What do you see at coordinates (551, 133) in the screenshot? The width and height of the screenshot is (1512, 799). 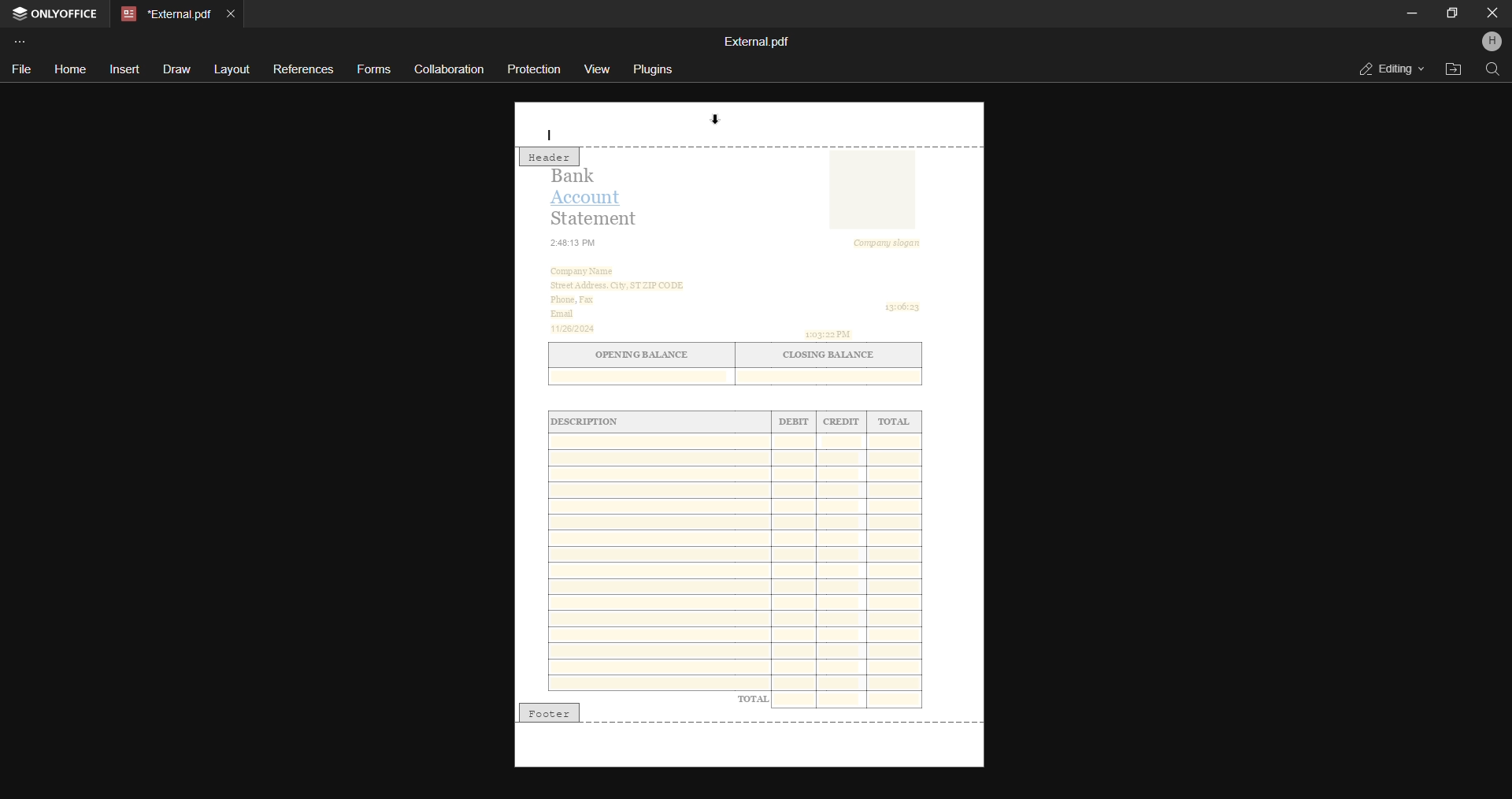 I see `Text cursor` at bounding box center [551, 133].